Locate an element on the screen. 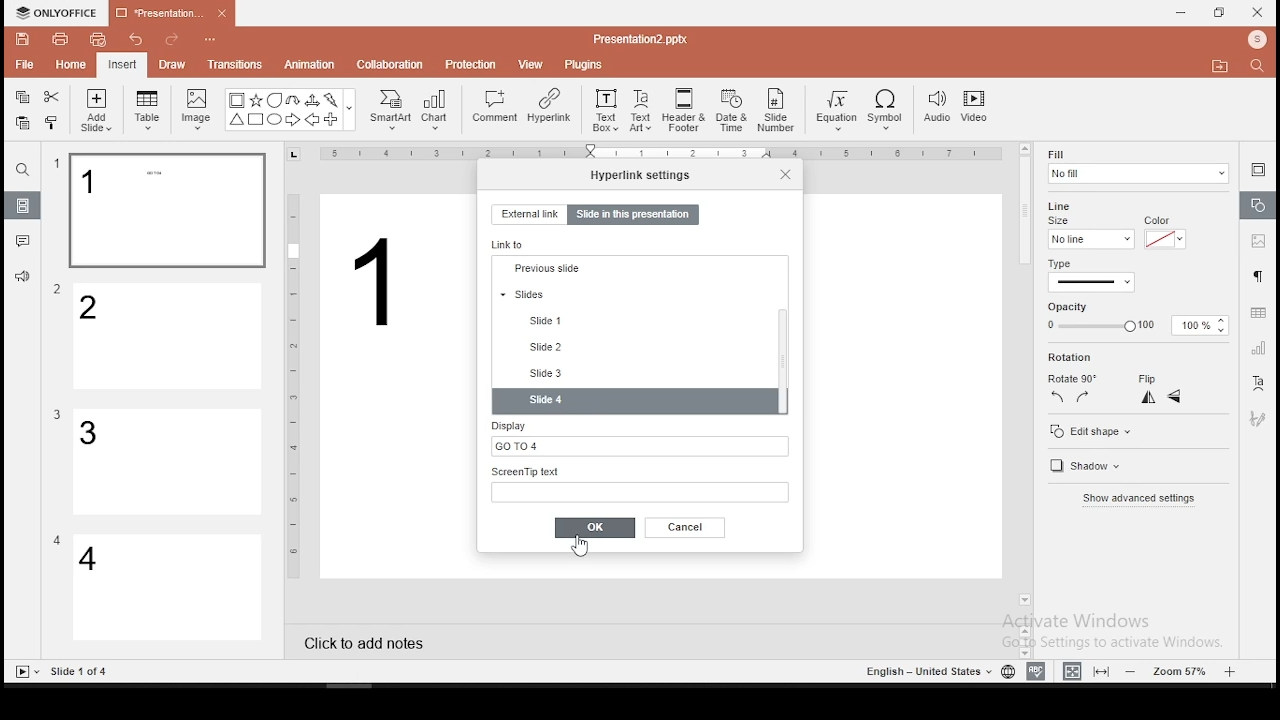 The height and width of the screenshot is (720, 1280). image is located at coordinates (198, 109).